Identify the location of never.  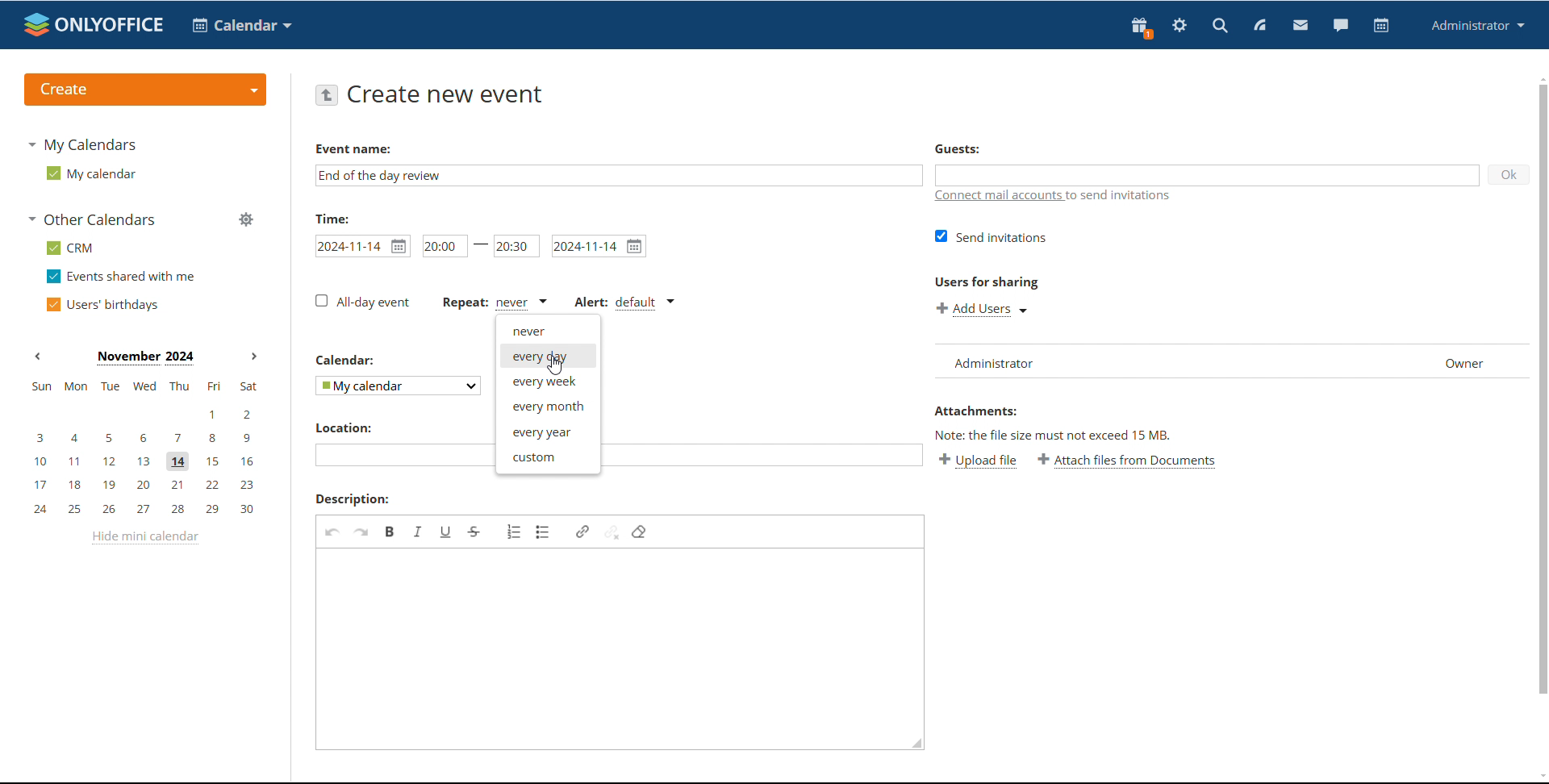
(550, 331).